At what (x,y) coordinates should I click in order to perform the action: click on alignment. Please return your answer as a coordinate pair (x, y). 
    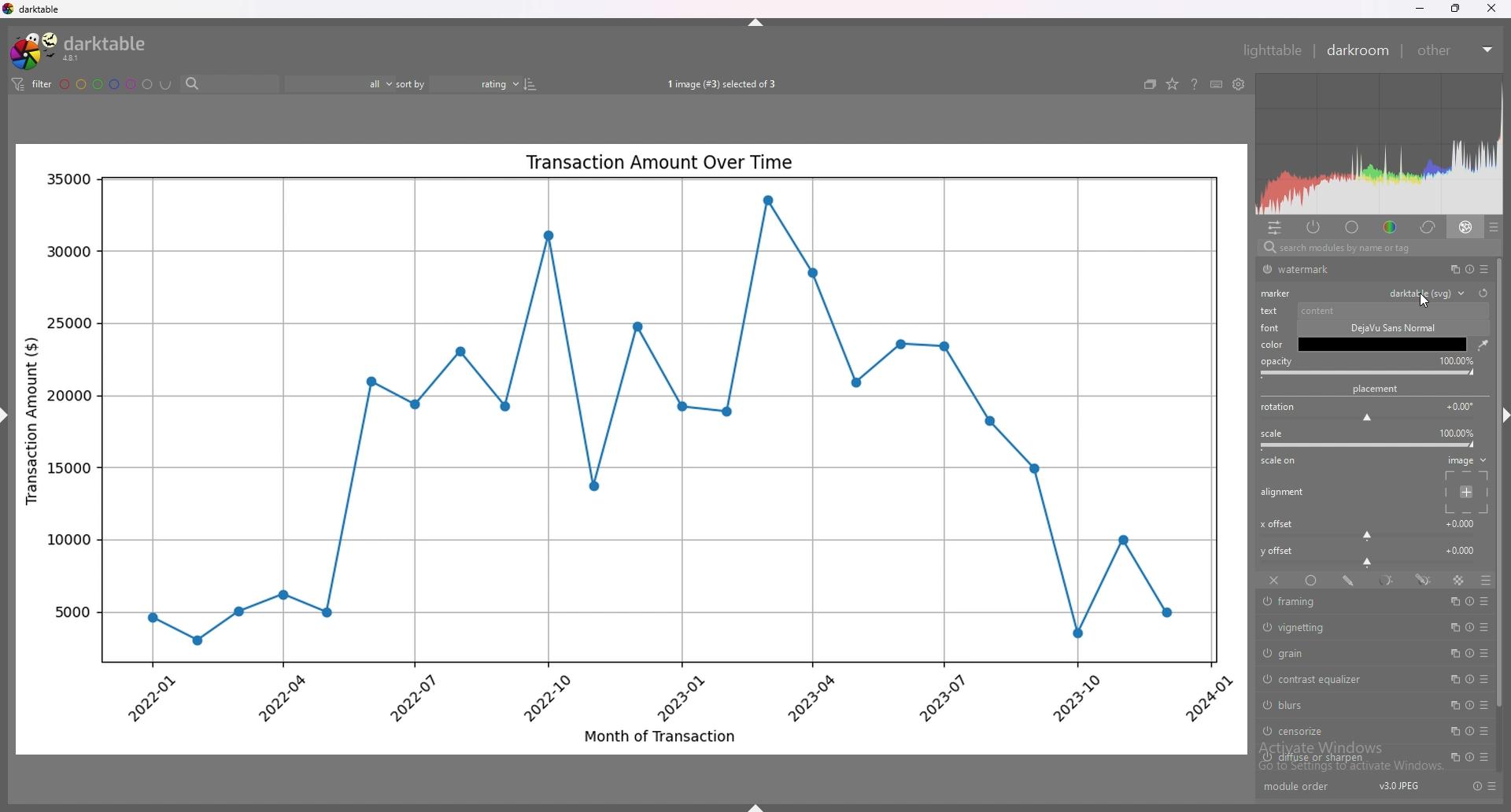
    Looking at the image, I should click on (1284, 492).